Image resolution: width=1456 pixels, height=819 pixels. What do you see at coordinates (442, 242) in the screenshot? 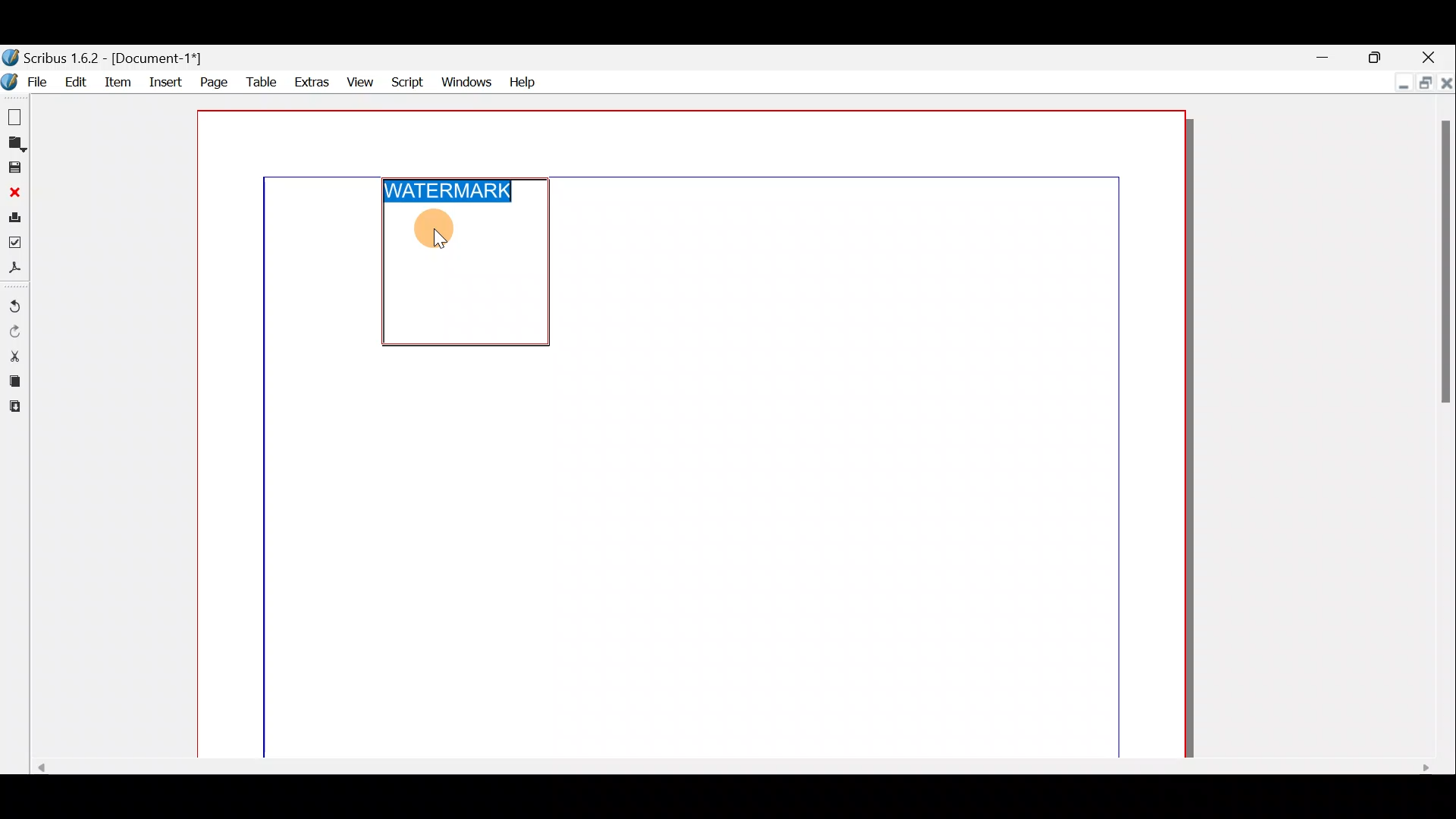
I see `cursor` at bounding box center [442, 242].